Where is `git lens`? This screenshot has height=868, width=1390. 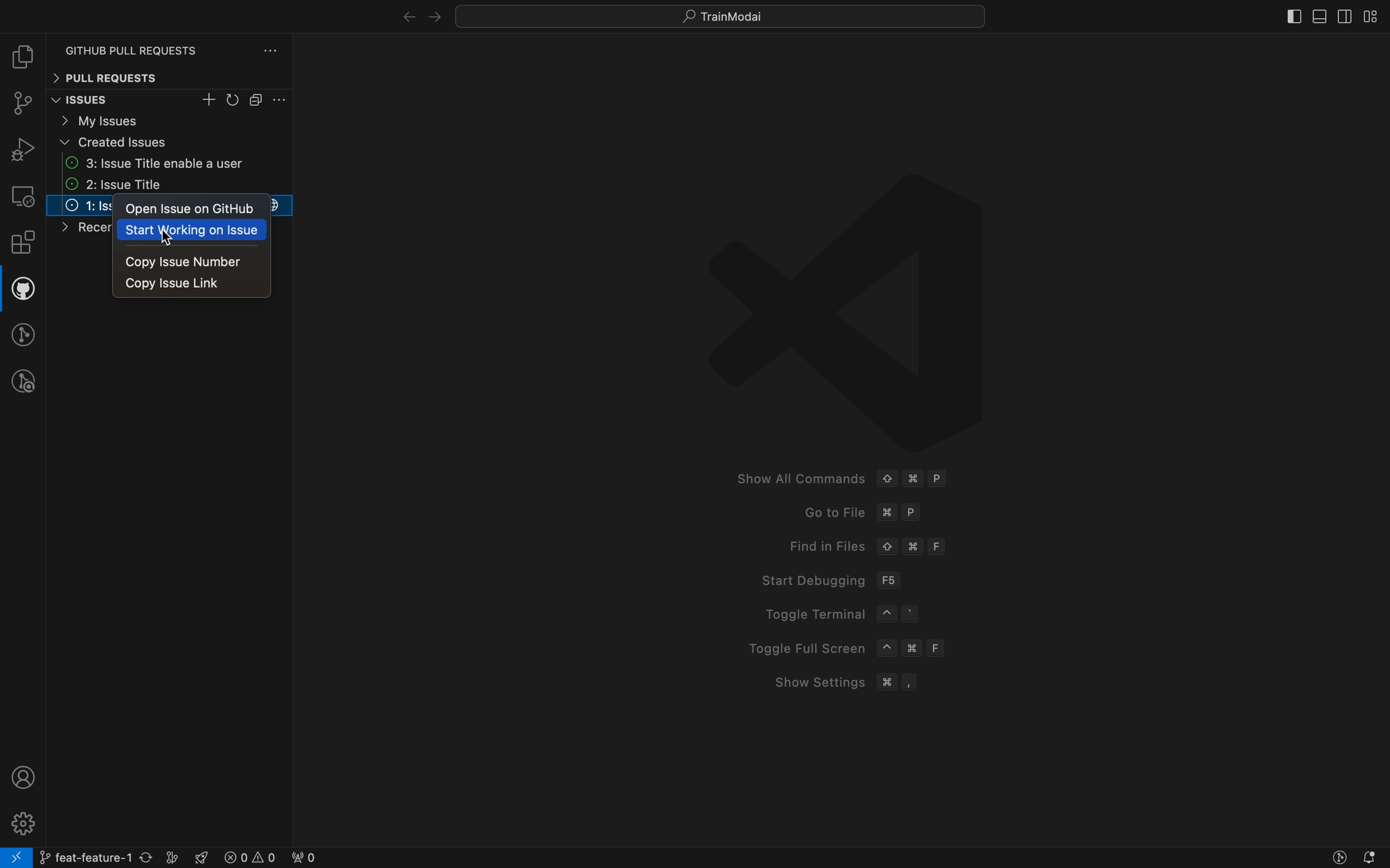 git lens is located at coordinates (25, 334).